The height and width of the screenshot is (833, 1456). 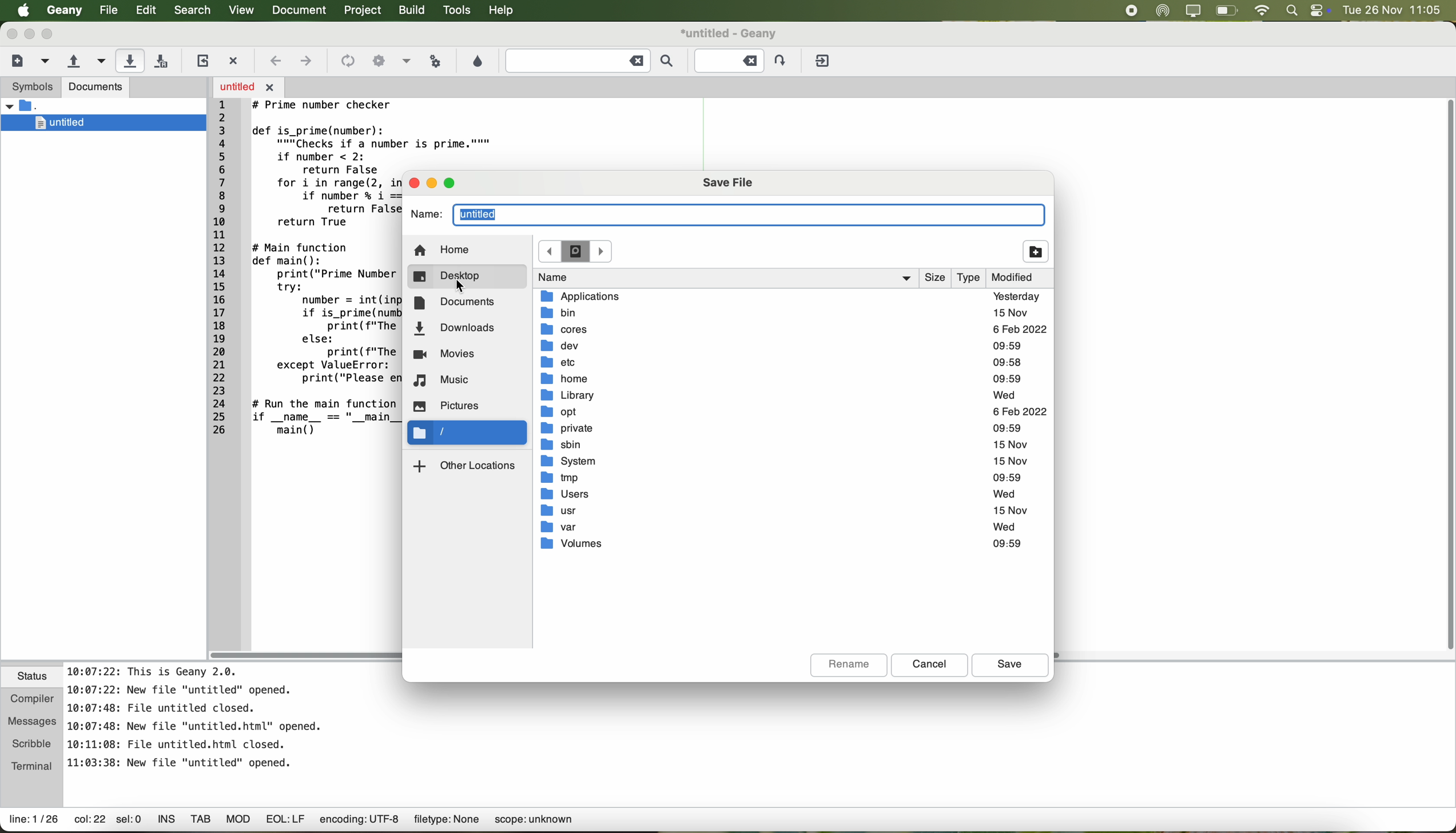 I want to click on name, so click(x=725, y=278).